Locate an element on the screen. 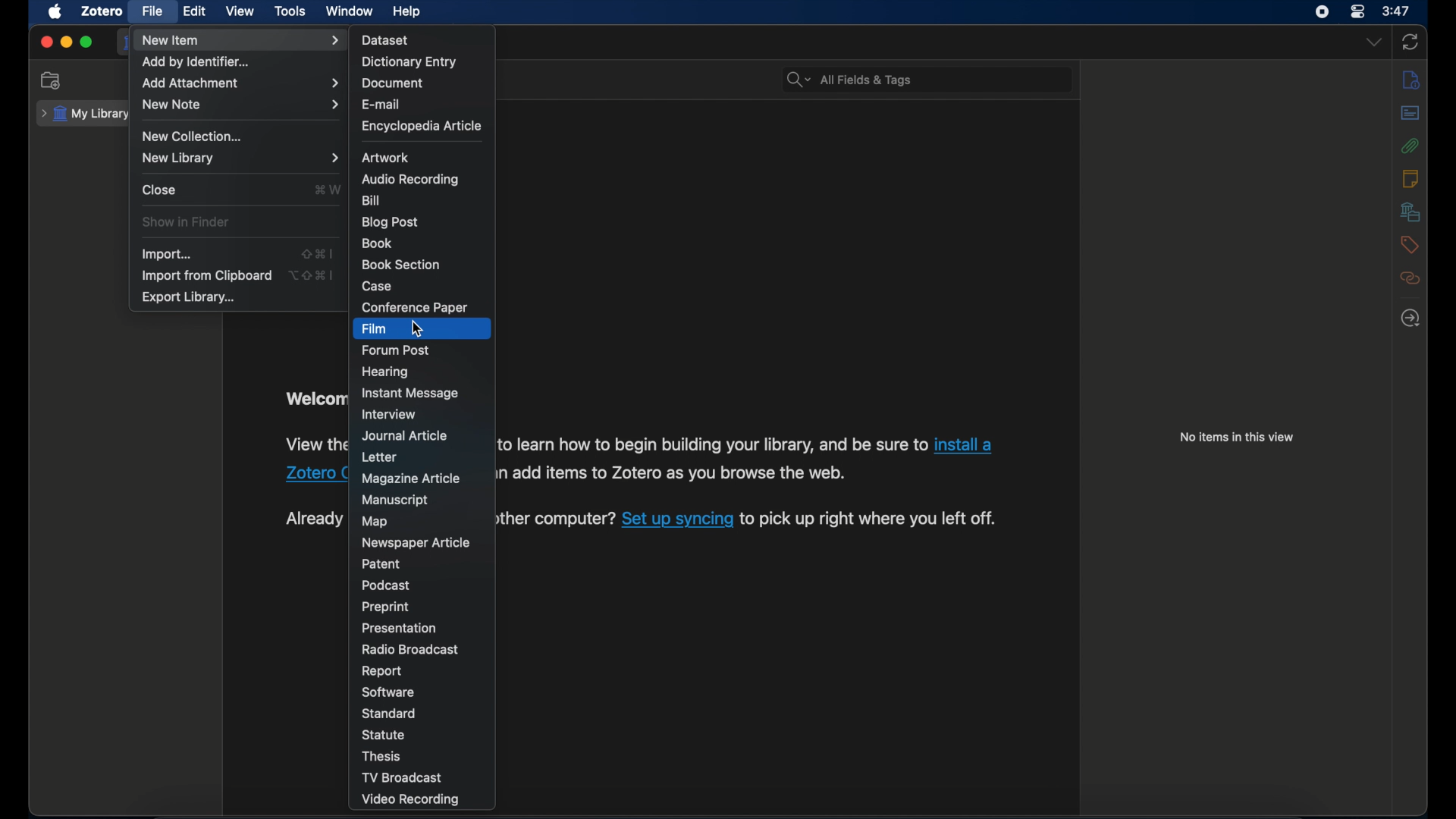 The height and width of the screenshot is (819, 1456). case is located at coordinates (378, 286).